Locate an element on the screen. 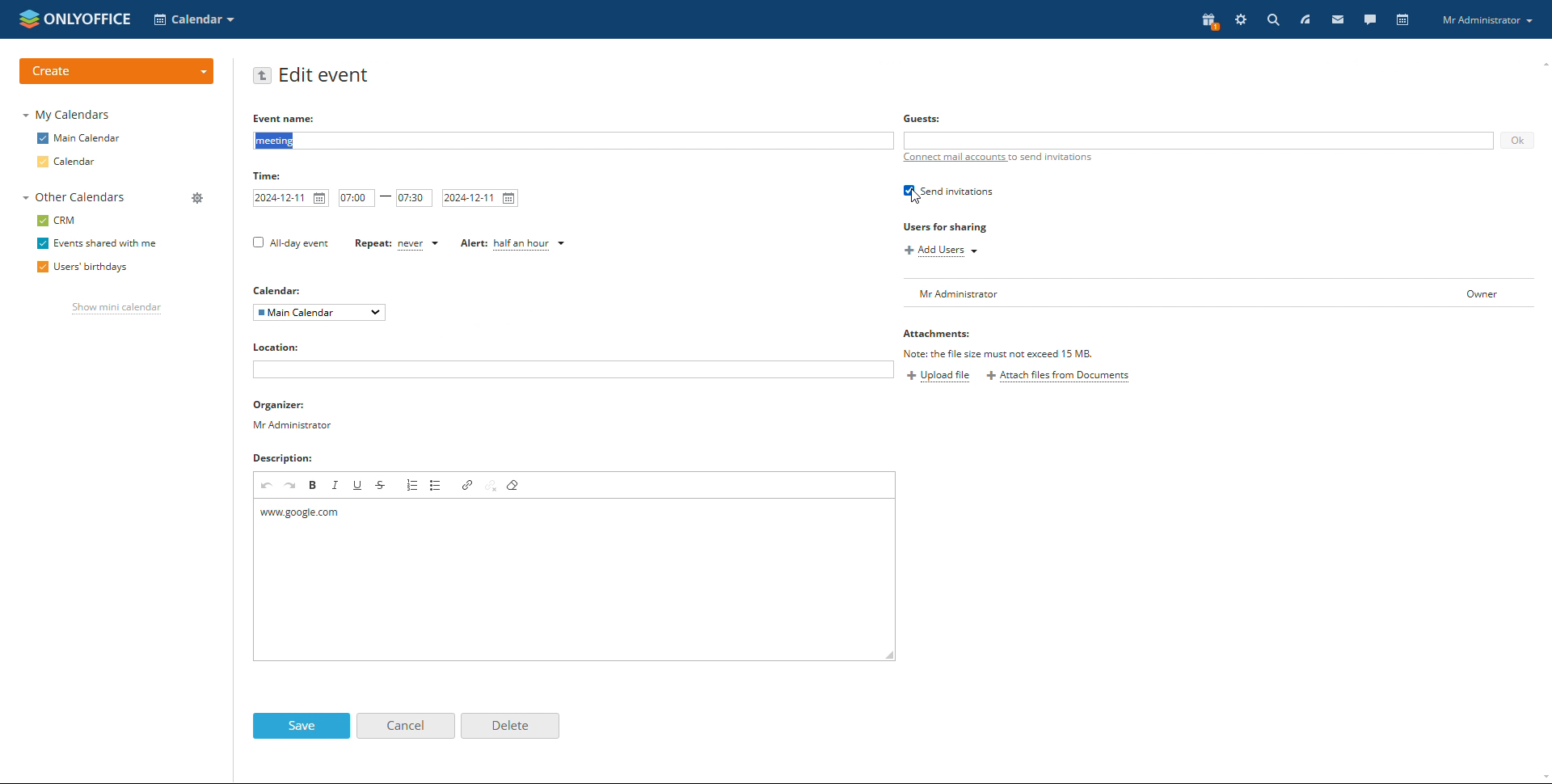  Location: is located at coordinates (276, 346).